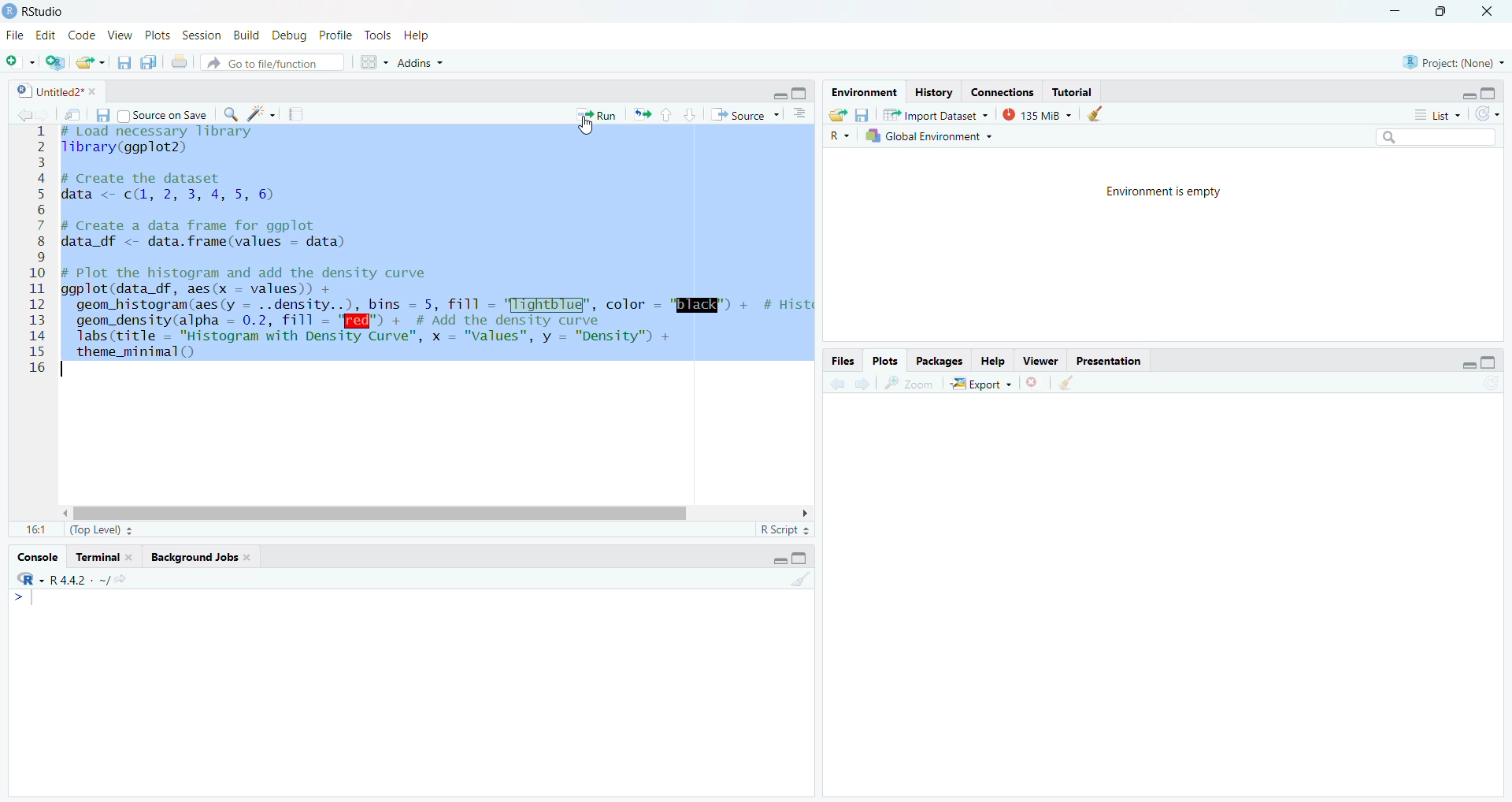 The width and height of the screenshot is (1512, 802). Describe the element at coordinates (1489, 363) in the screenshot. I see `maximize` at that location.